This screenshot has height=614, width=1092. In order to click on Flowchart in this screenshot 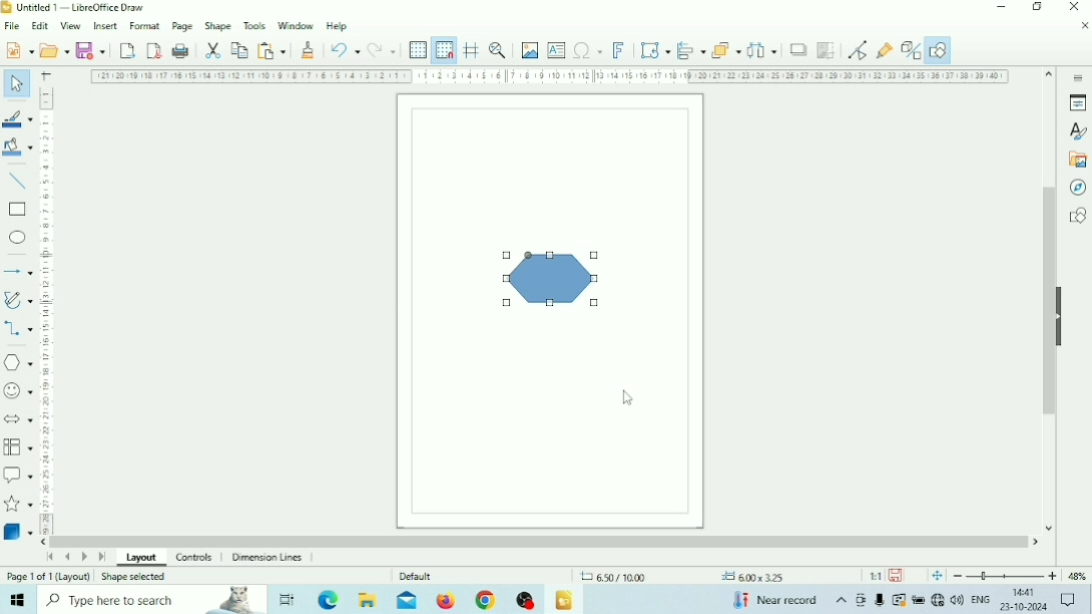, I will do `click(18, 447)`.